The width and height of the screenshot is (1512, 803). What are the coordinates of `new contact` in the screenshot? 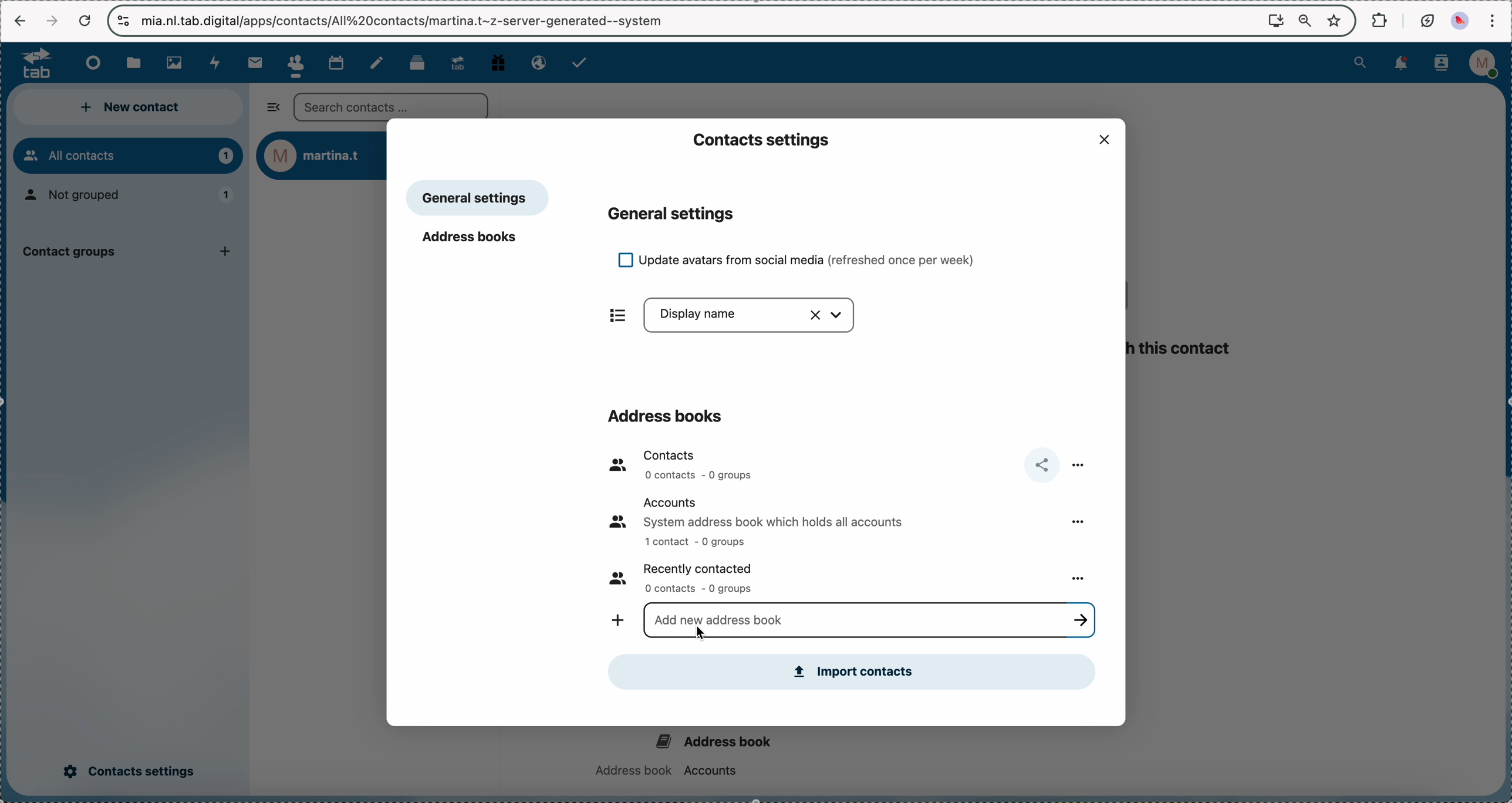 It's located at (131, 109).